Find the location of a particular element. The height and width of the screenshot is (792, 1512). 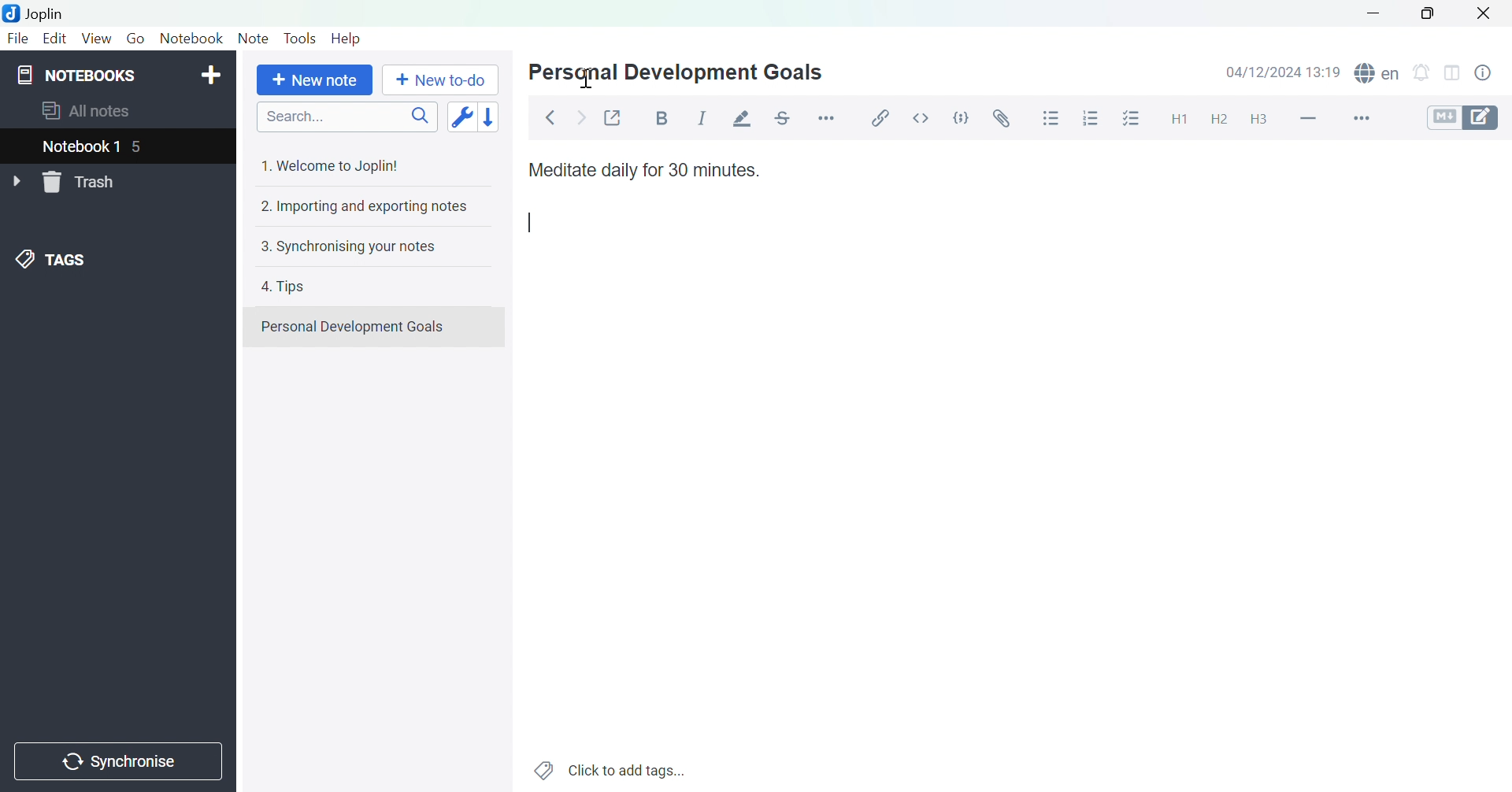

Typing cursor is located at coordinates (532, 223).